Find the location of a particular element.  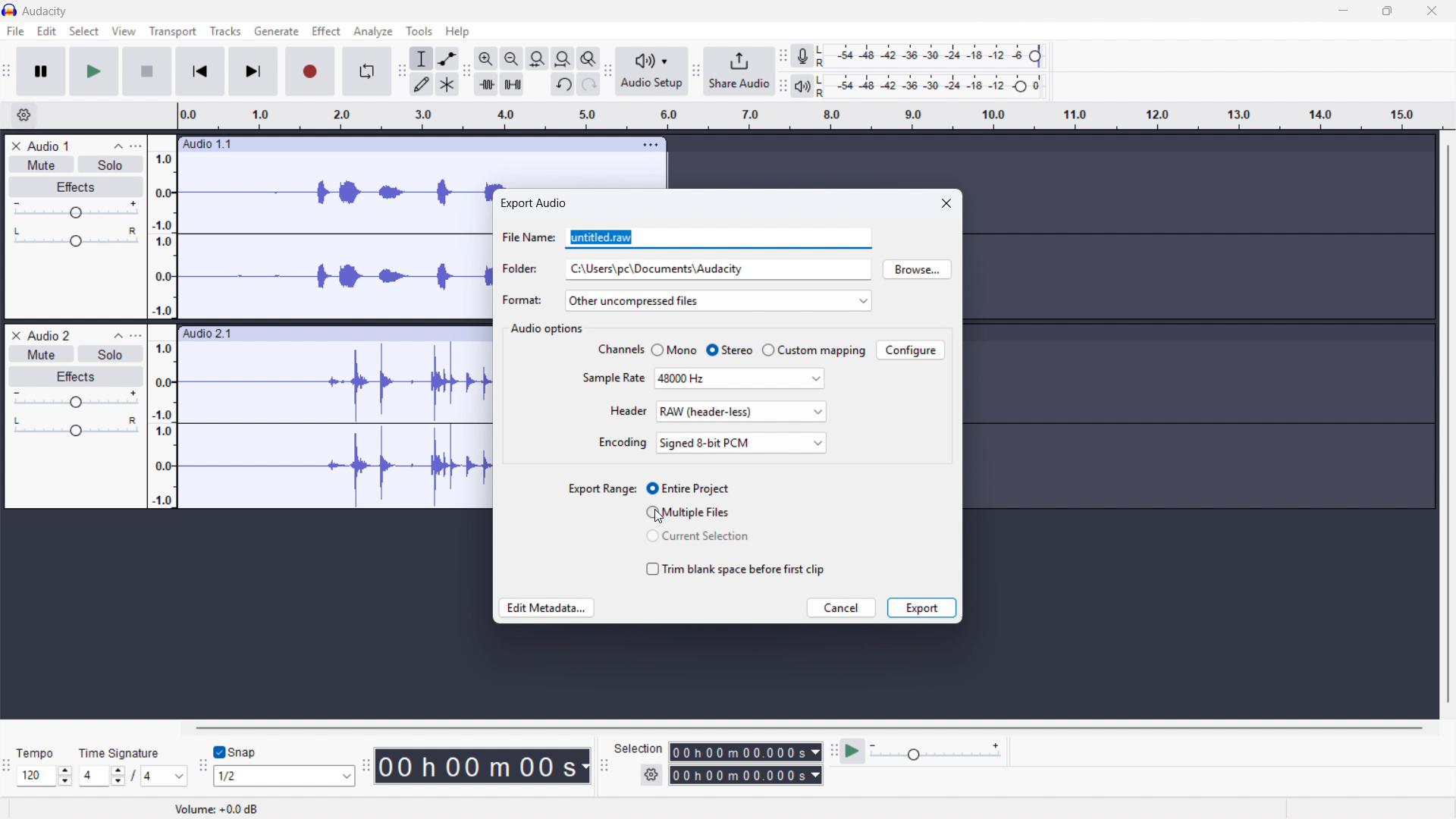

Record  is located at coordinates (309, 72).